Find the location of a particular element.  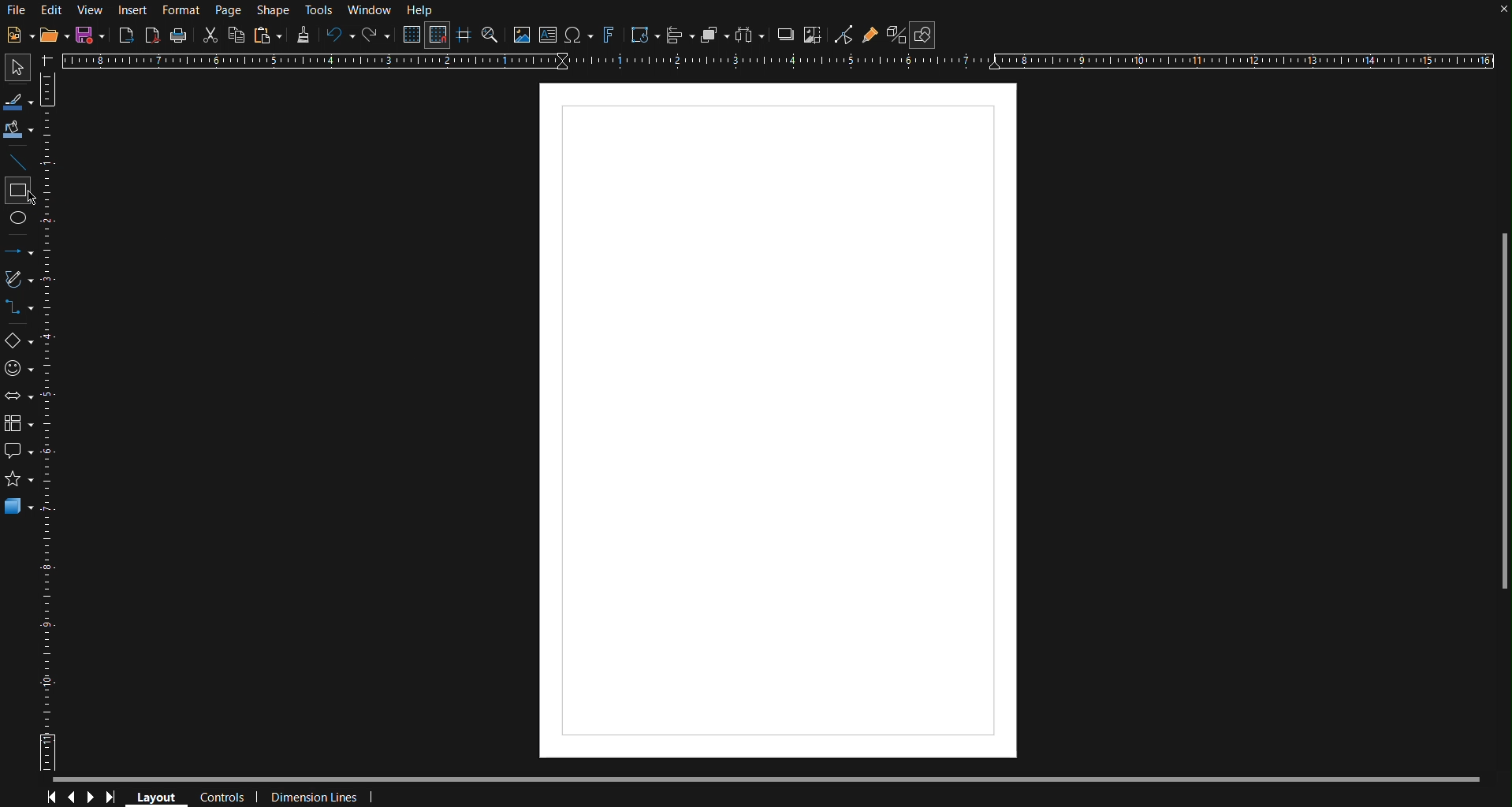

Page is located at coordinates (228, 10).